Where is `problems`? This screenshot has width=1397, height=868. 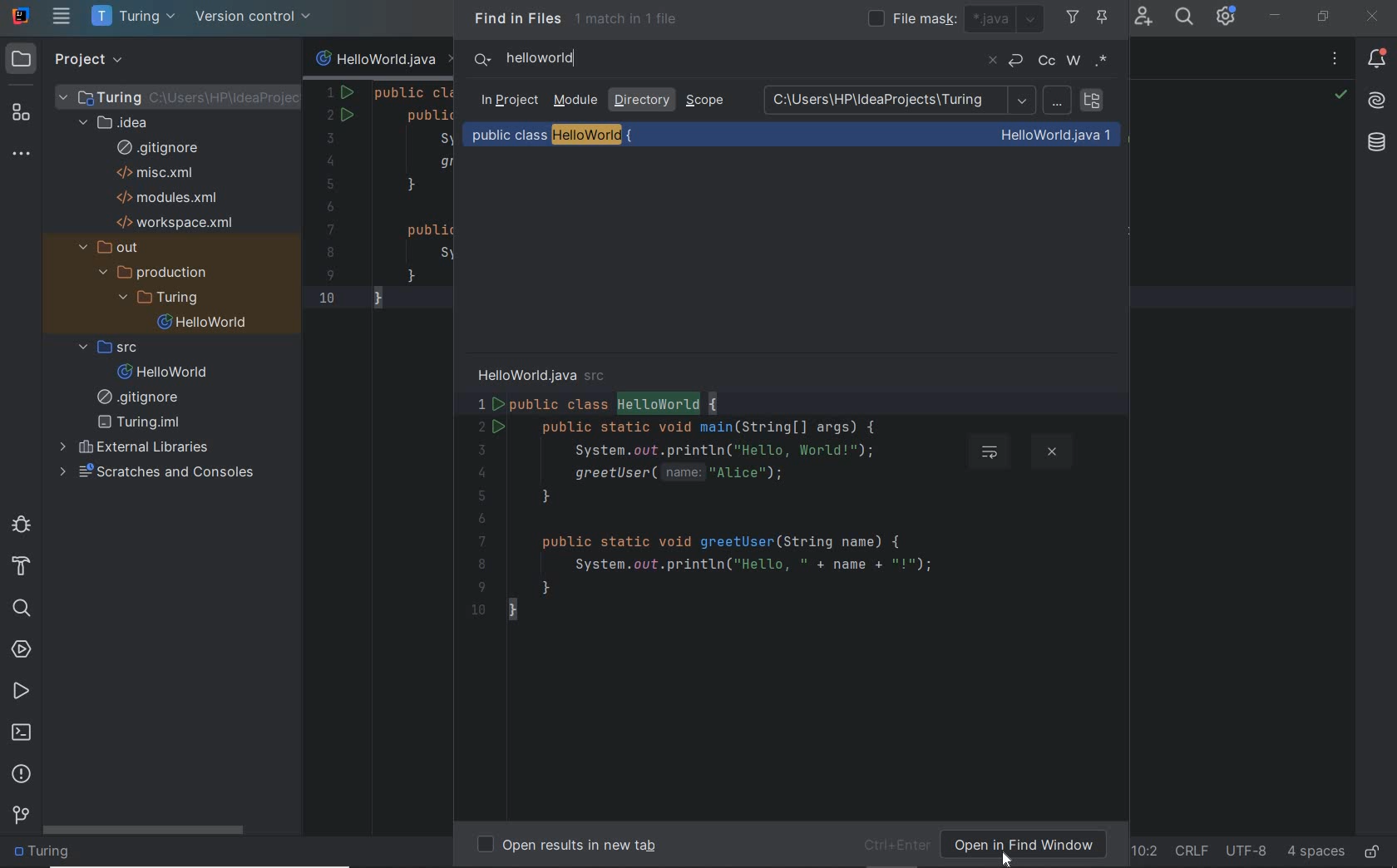
problems is located at coordinates (22, 775).